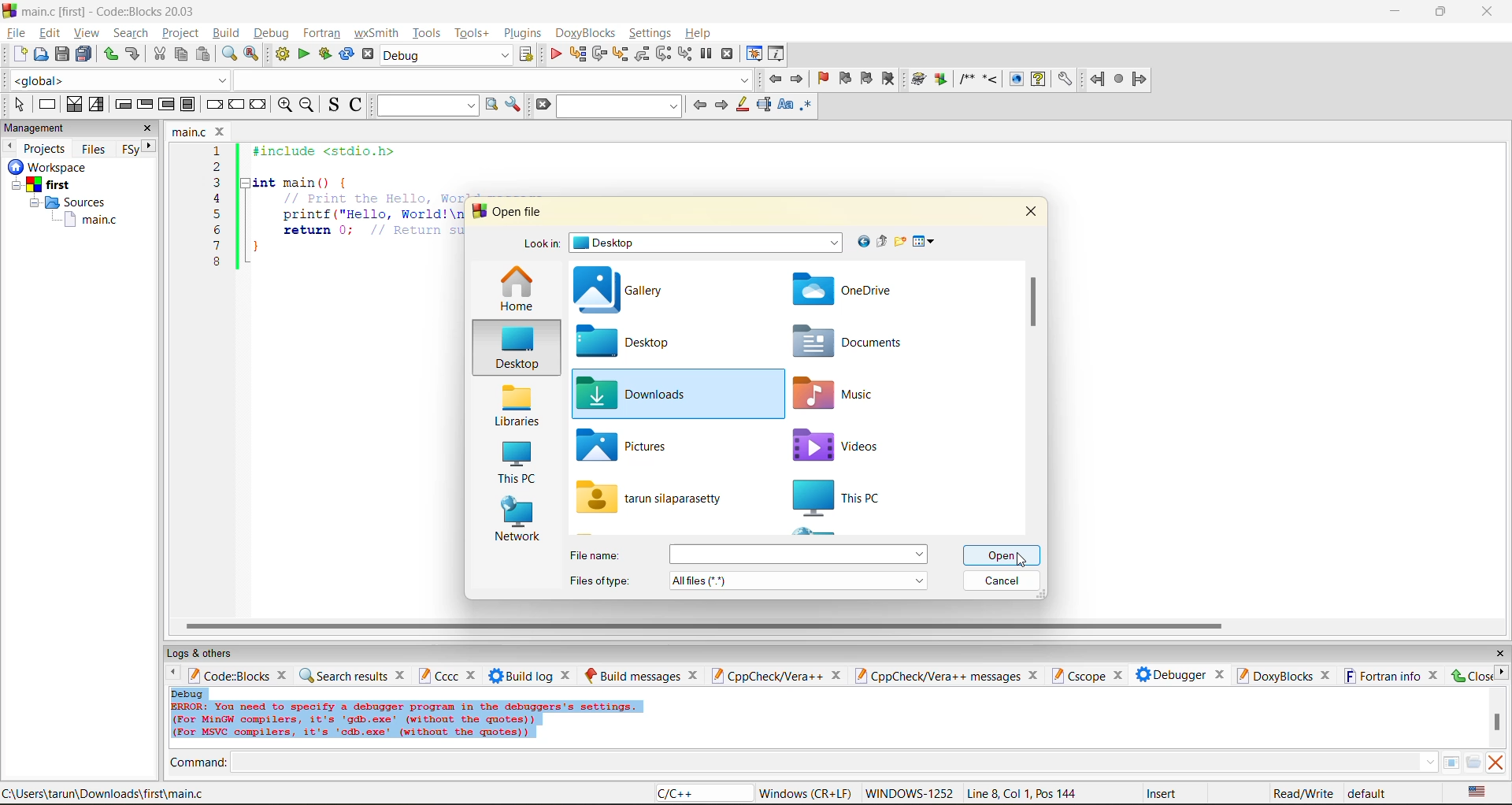  I want to click on gallery, so click(624, 291).